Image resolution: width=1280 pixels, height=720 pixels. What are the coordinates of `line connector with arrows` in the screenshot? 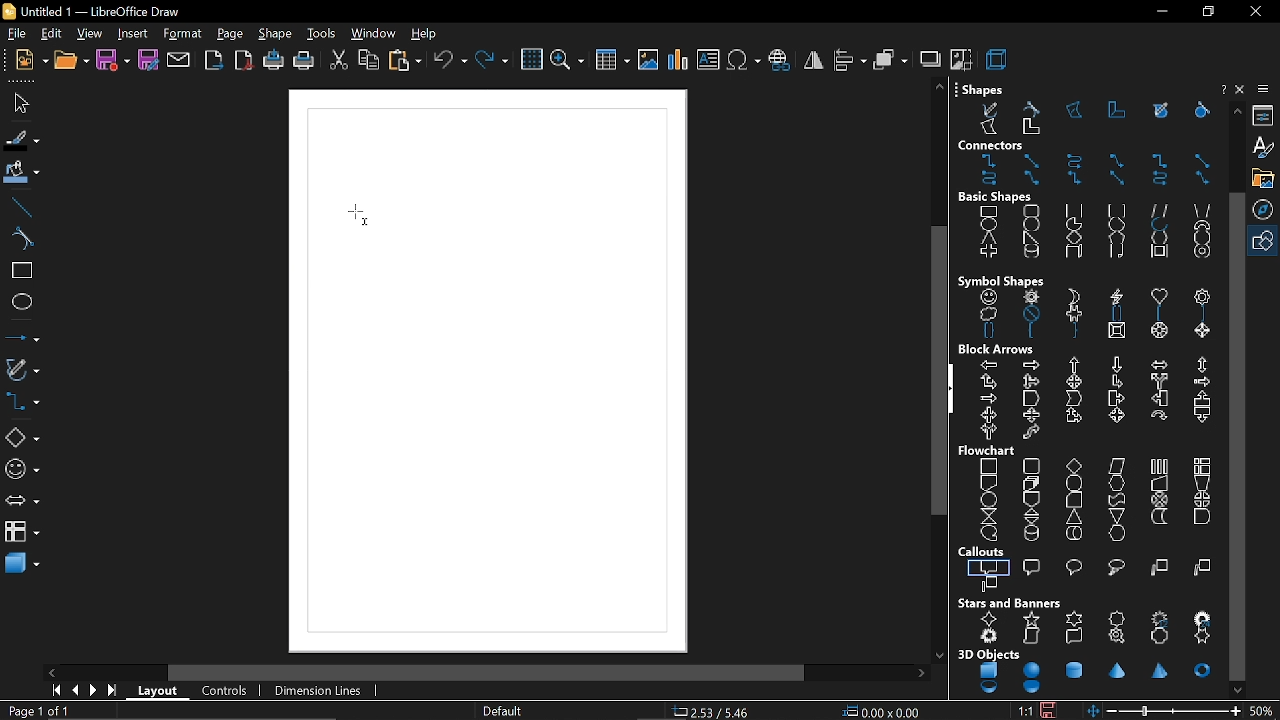 It's located at (1200, 179).